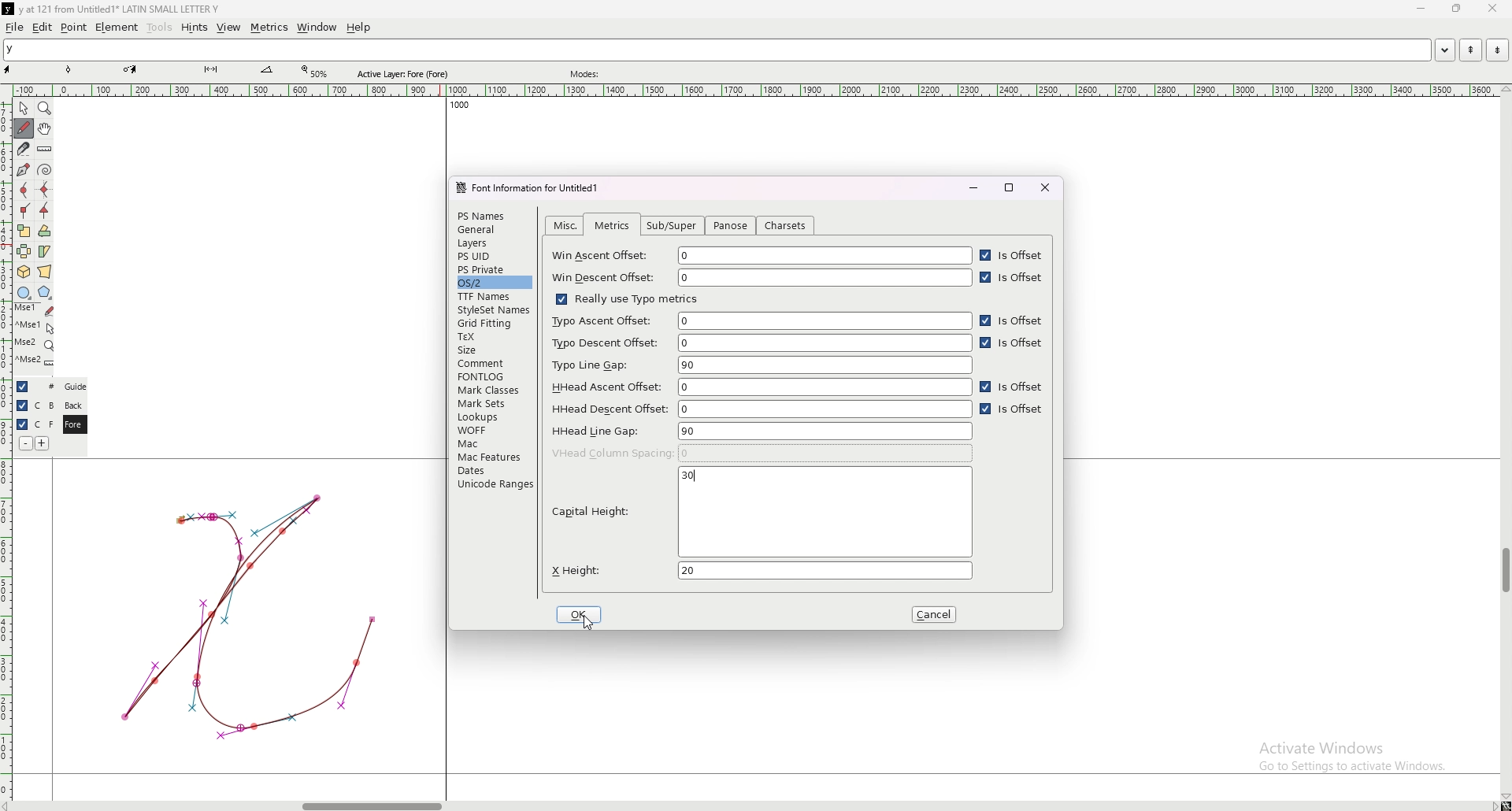 The image size is (1512, 811). Describe the element at coordinates (406, 74) in the screenshot. I see `active layer` at that location.